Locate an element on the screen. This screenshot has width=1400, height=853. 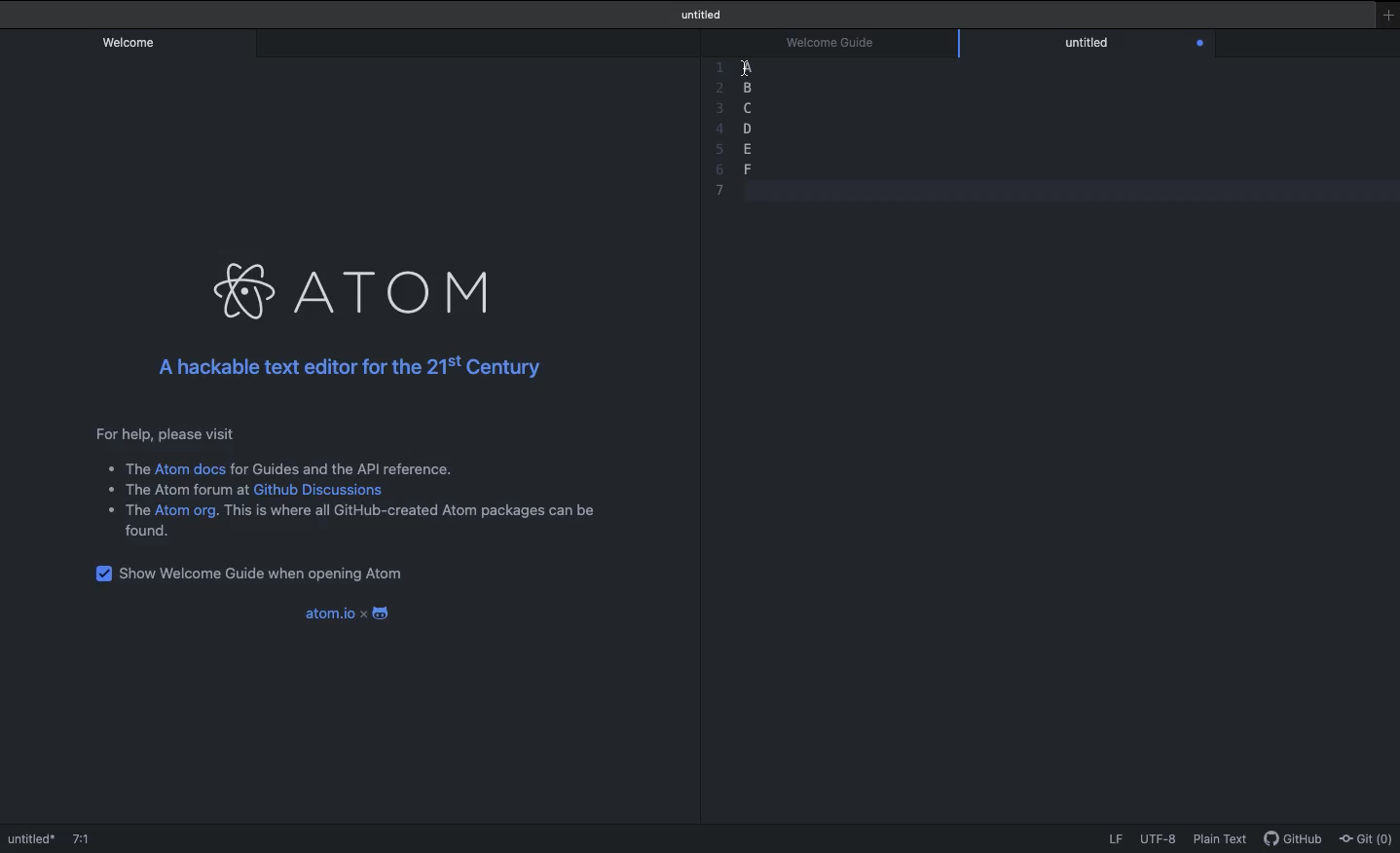
Git is located at coordinates (1368, 839).